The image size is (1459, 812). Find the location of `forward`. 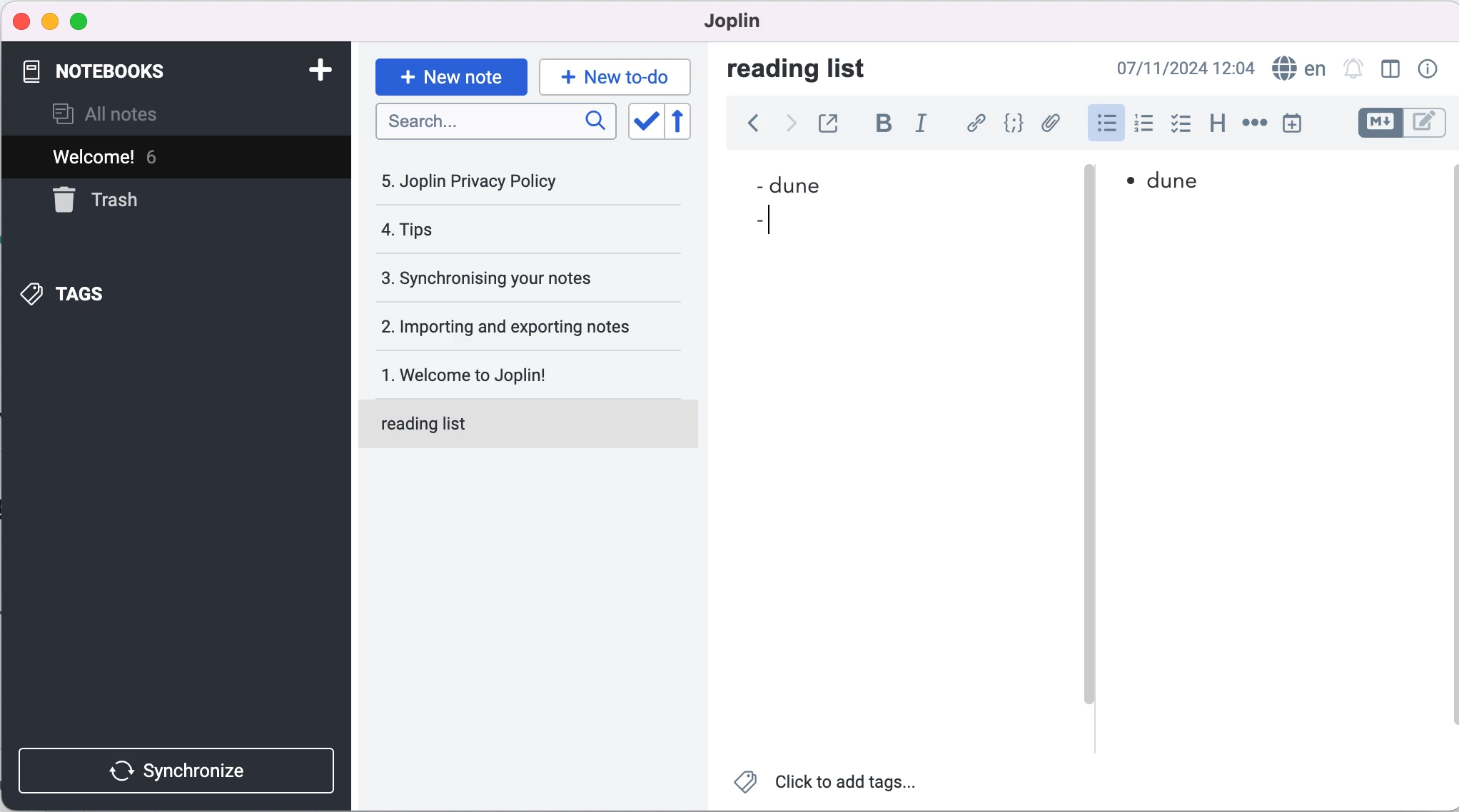

forward is located at coordinates (792, 123).